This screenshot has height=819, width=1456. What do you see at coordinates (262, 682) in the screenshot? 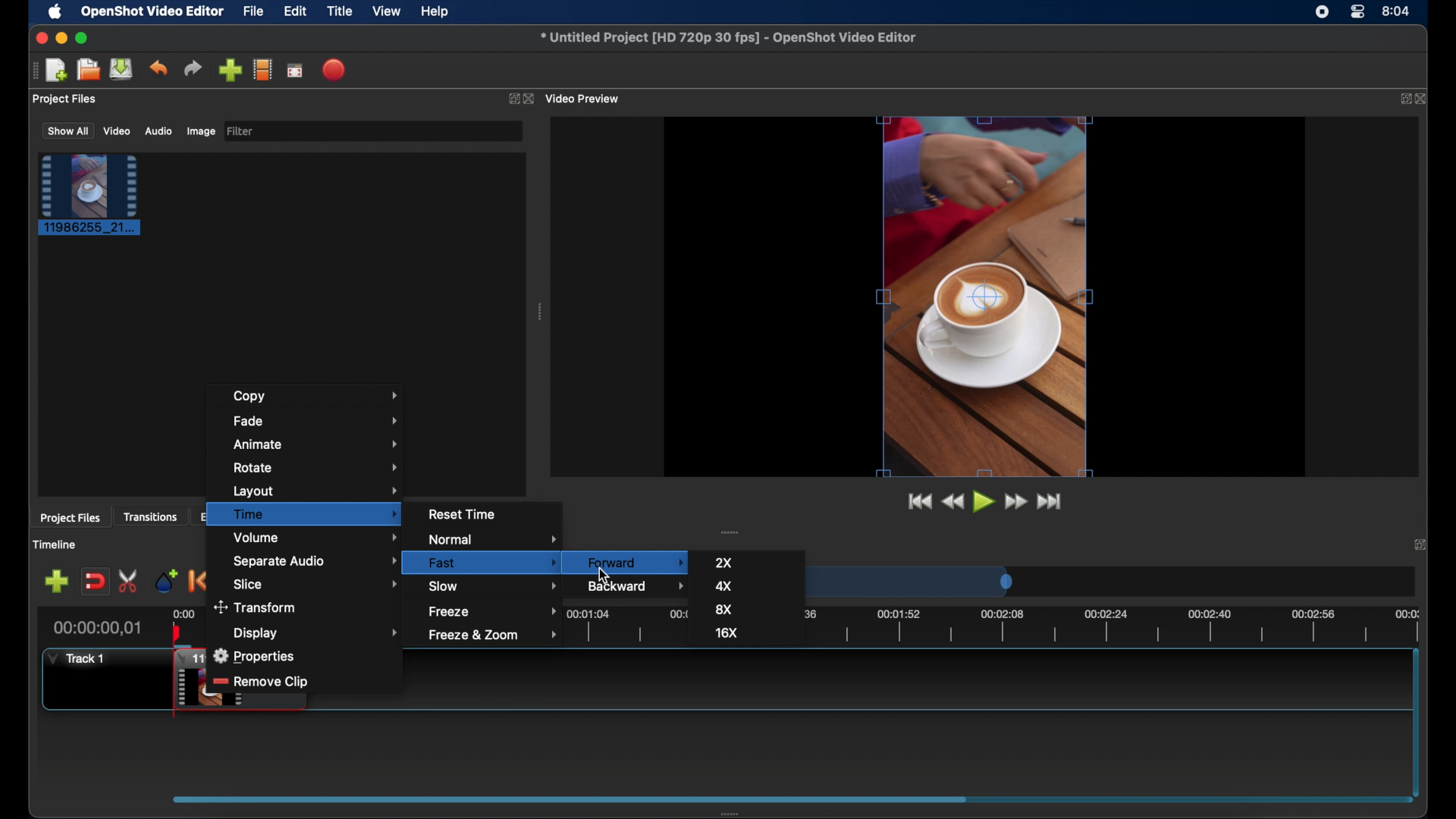
I see `remove  slip` at bounding box center [262, 682].